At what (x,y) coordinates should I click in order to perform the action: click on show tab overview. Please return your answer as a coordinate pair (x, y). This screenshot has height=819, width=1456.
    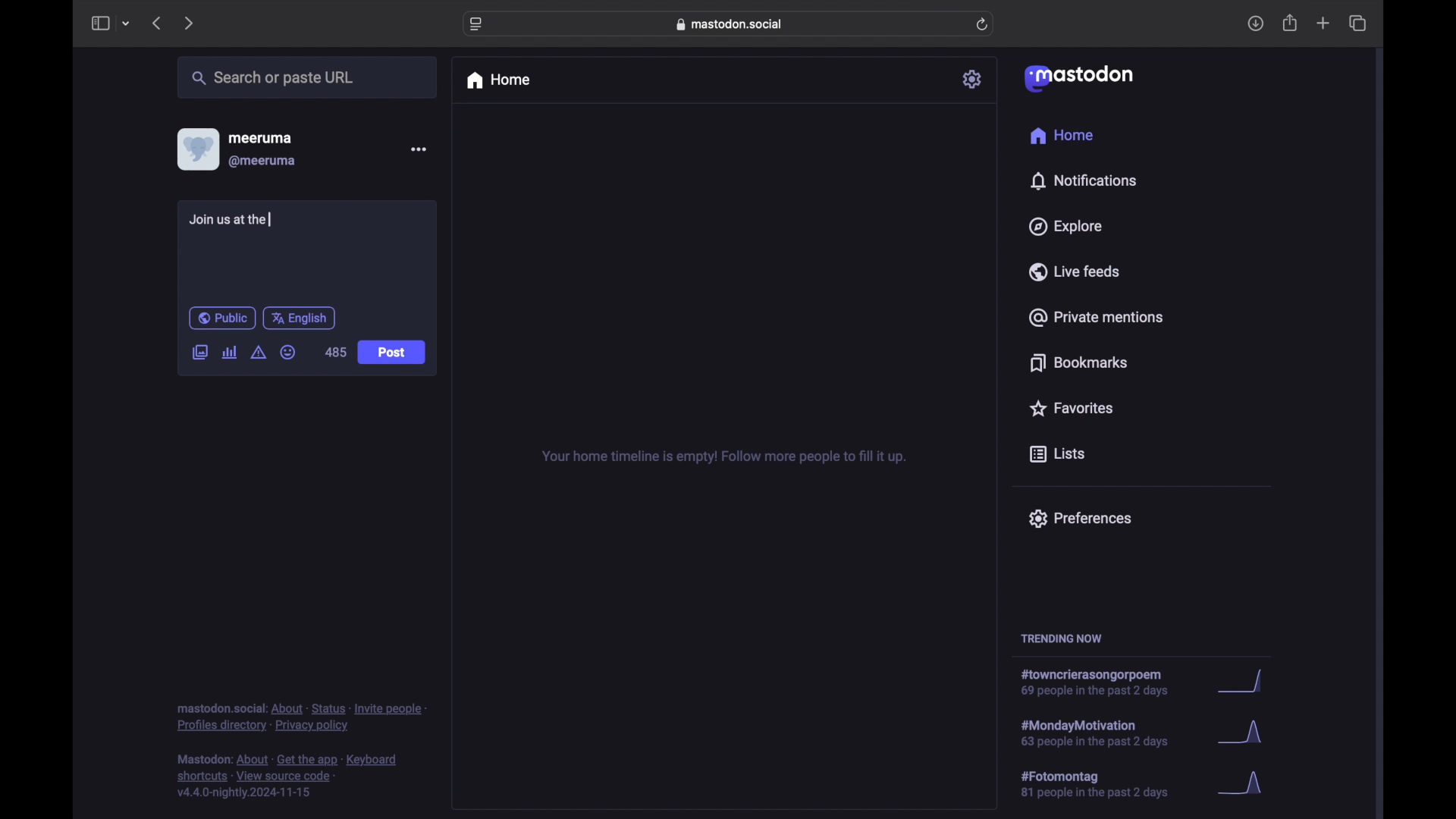
    Looking at the image, I should click on (1357, 24).